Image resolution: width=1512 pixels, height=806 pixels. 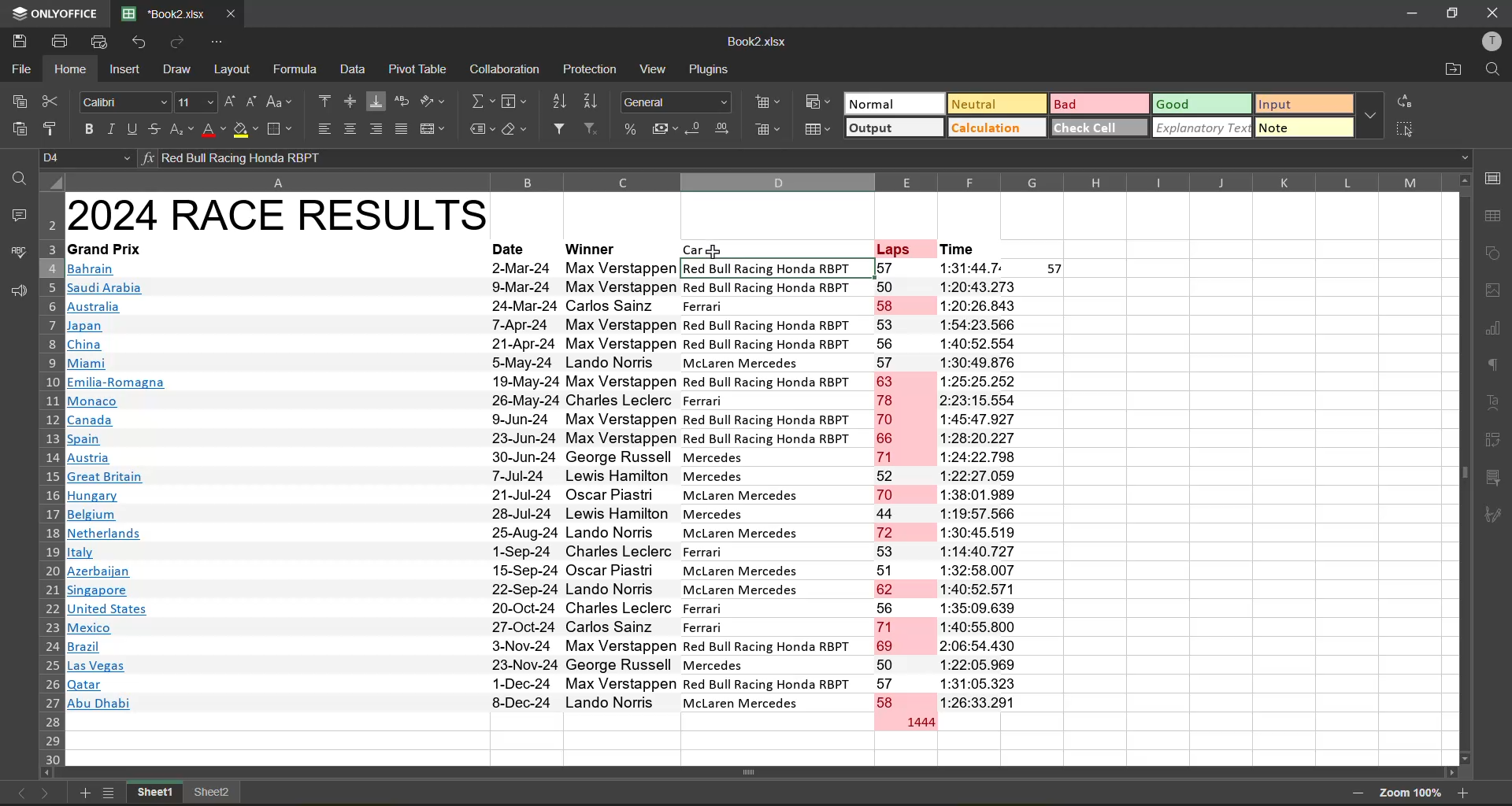 What do you see at coordinates (46, 793) in the screenshot?
I see `next` at bounding box center [46, 793].